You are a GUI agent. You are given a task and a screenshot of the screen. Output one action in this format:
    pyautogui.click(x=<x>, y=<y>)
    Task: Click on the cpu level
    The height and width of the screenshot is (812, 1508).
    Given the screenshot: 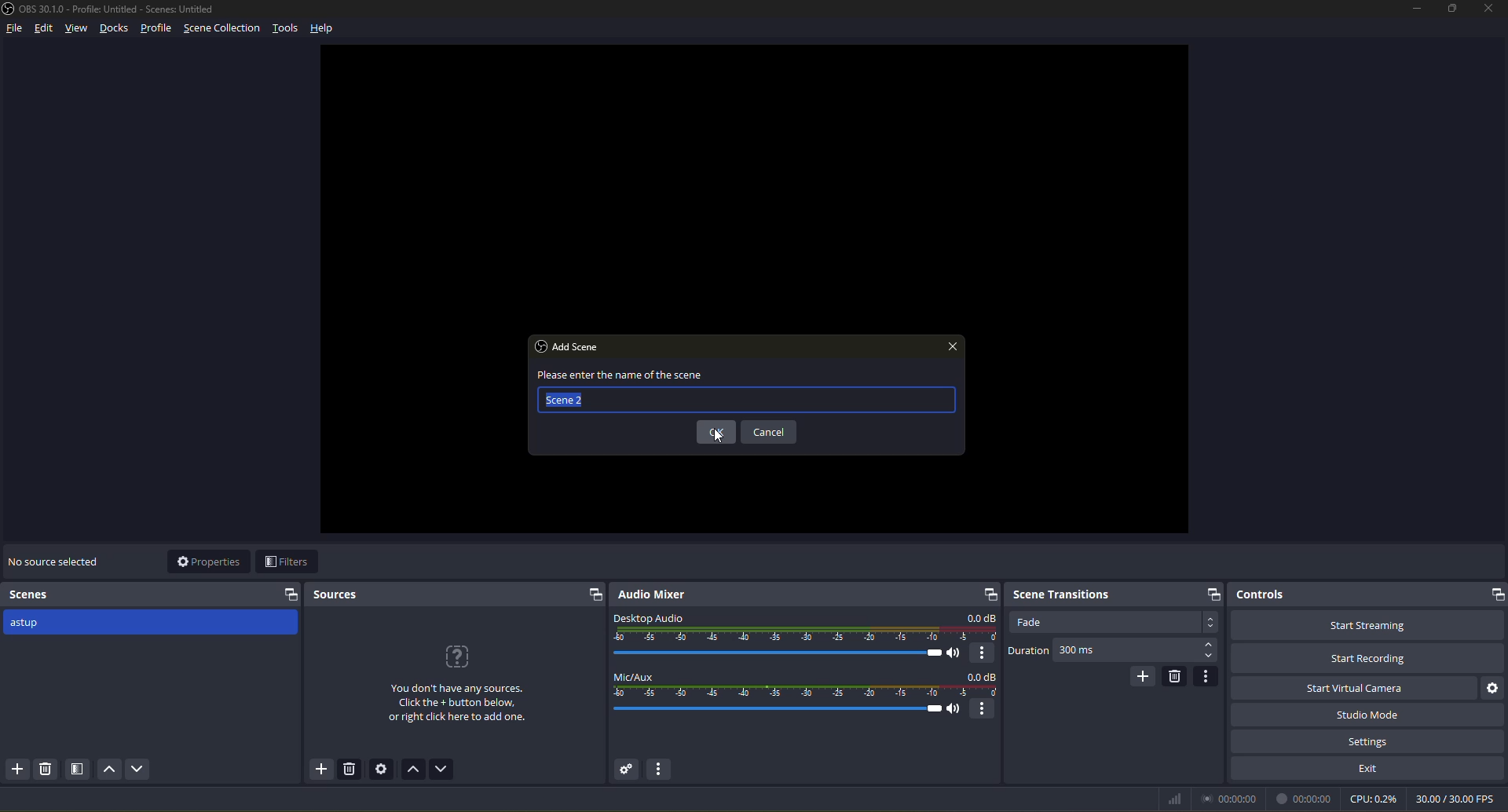 What is the action you would take?
    pyautogui.click(x=1374, y=798)
    